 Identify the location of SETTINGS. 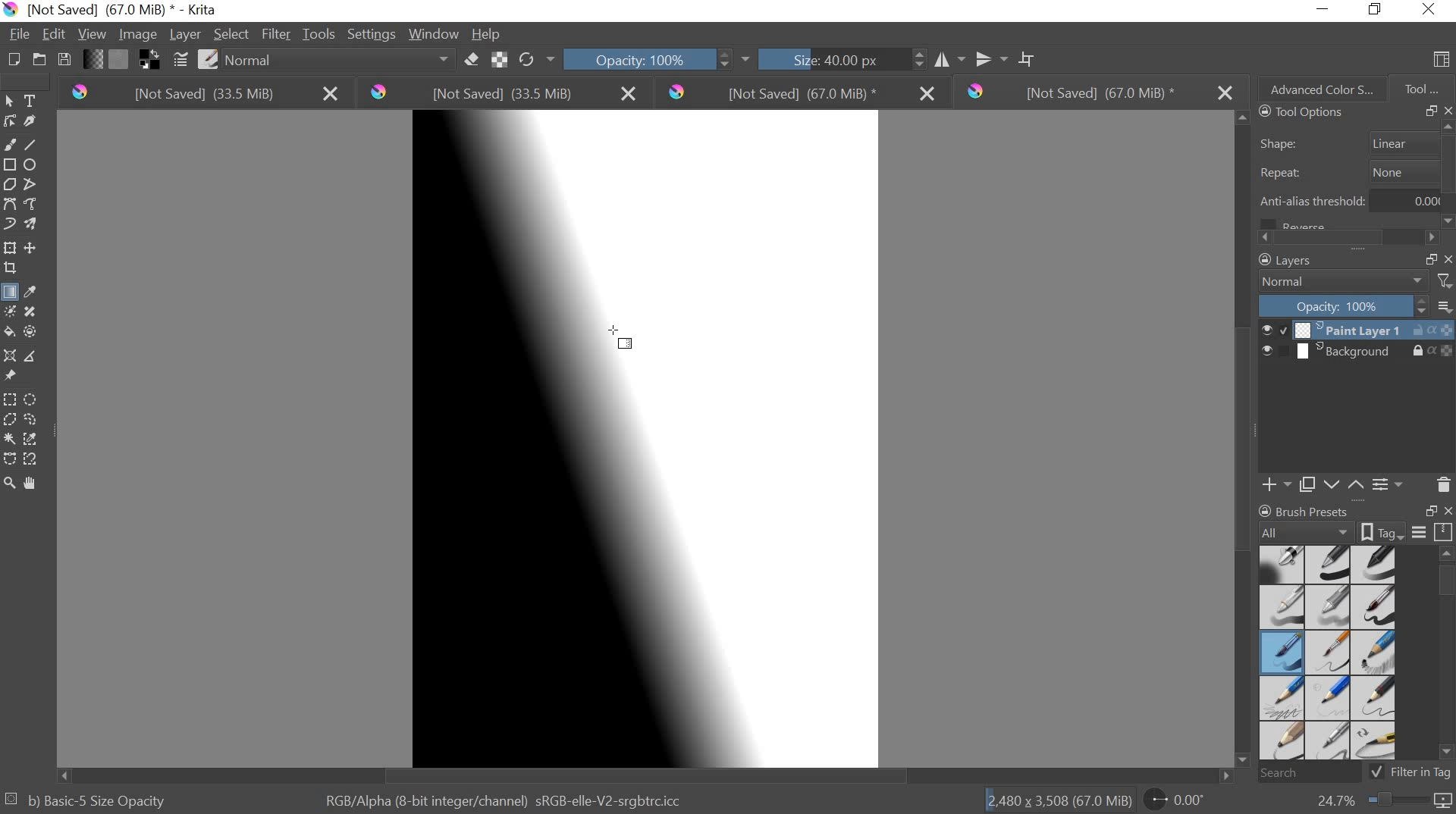
(371, 33).